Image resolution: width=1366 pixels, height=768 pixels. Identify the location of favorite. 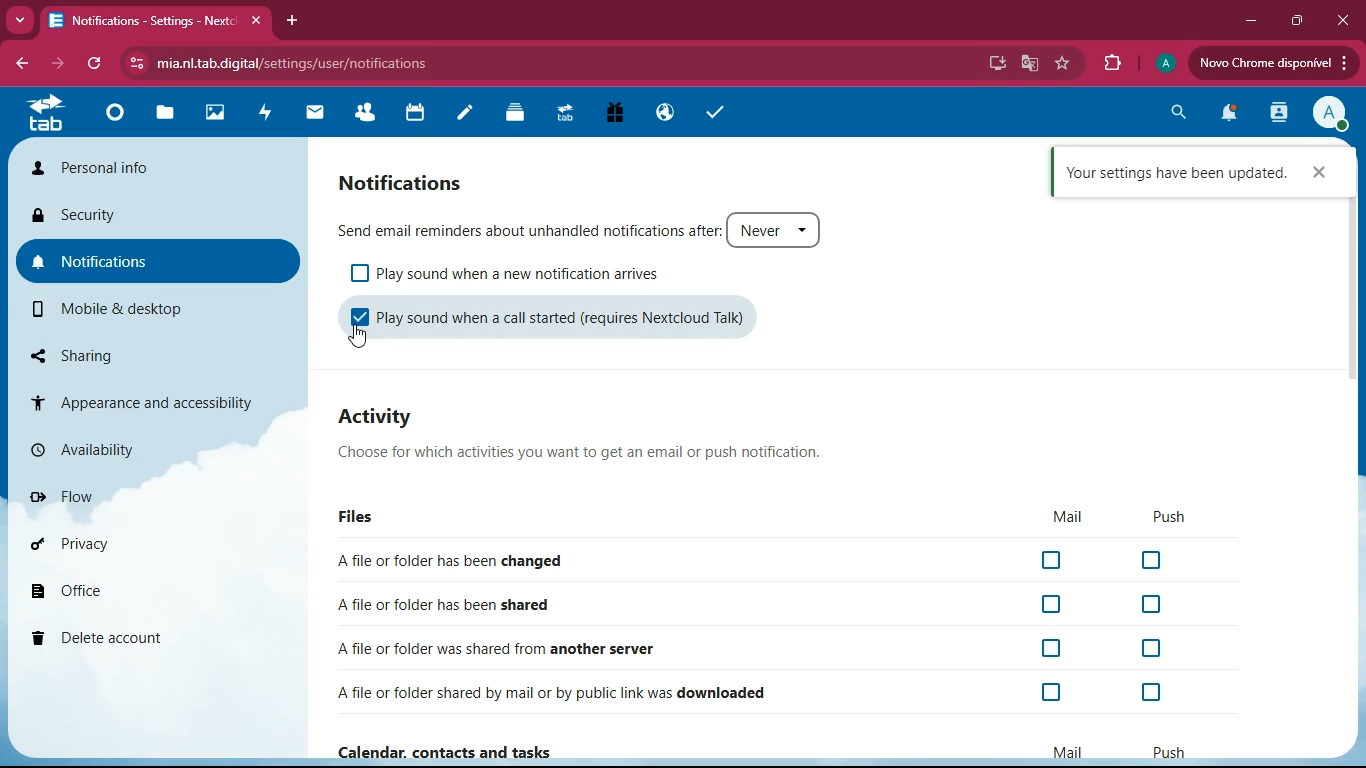
(1062, 63).